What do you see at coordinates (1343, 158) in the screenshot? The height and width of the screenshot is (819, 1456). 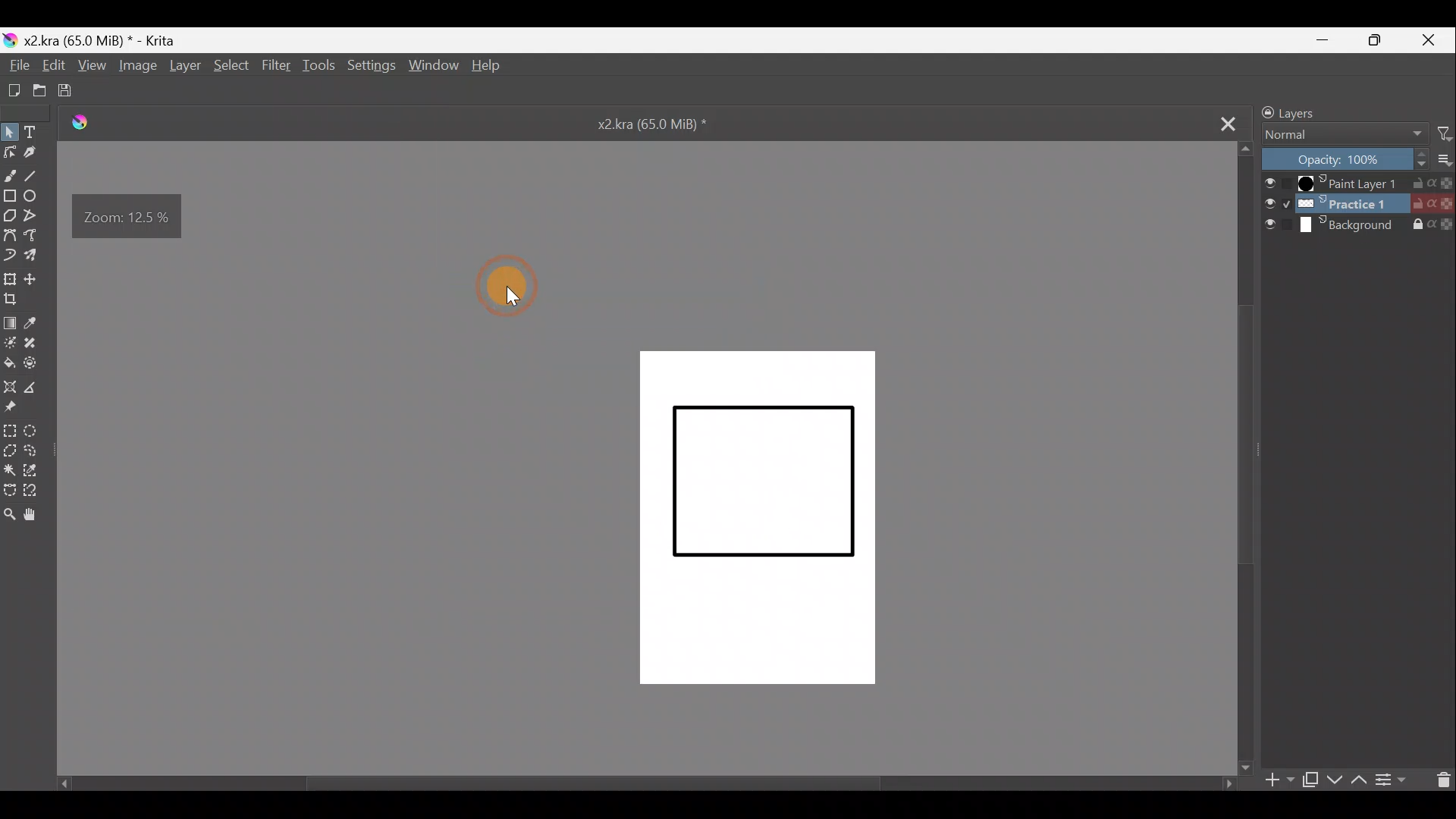 I see `Opacity: 100%` at bounding box center [1343, 158].